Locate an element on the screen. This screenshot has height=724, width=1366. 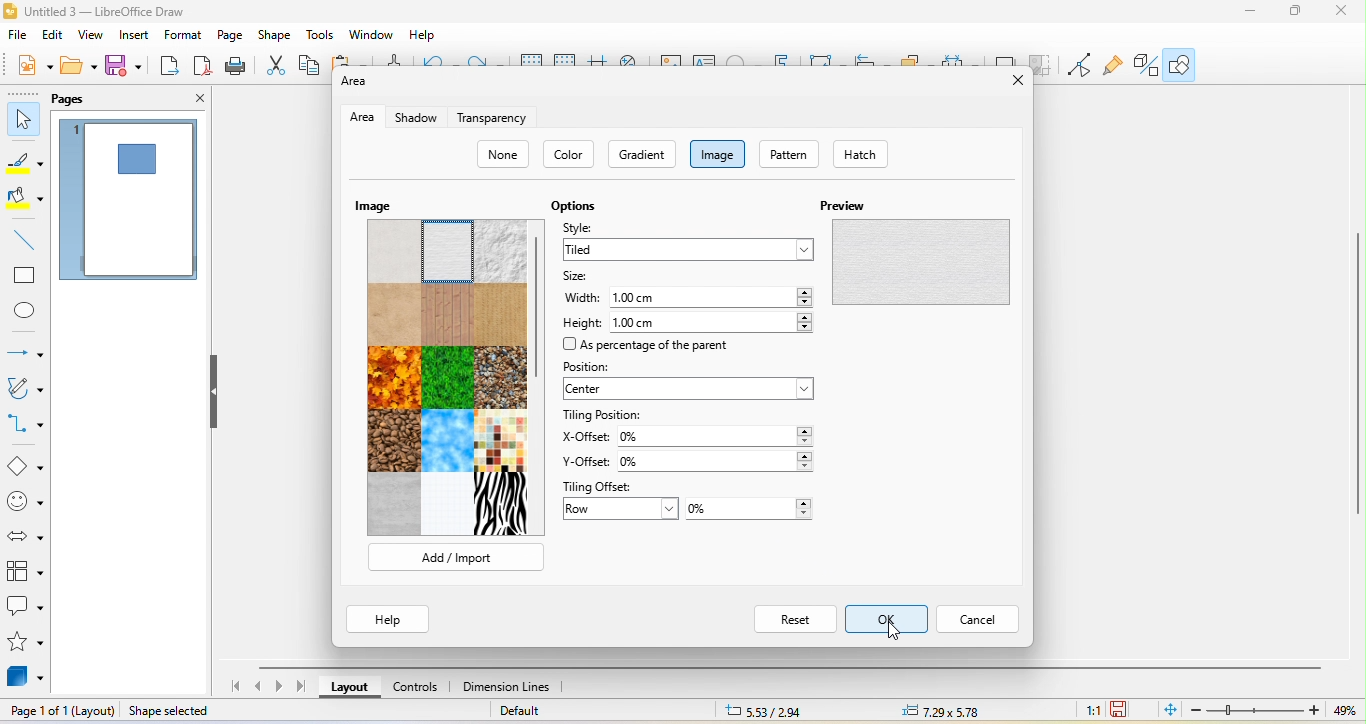
snap to grid is located at coordinates (566, 61).